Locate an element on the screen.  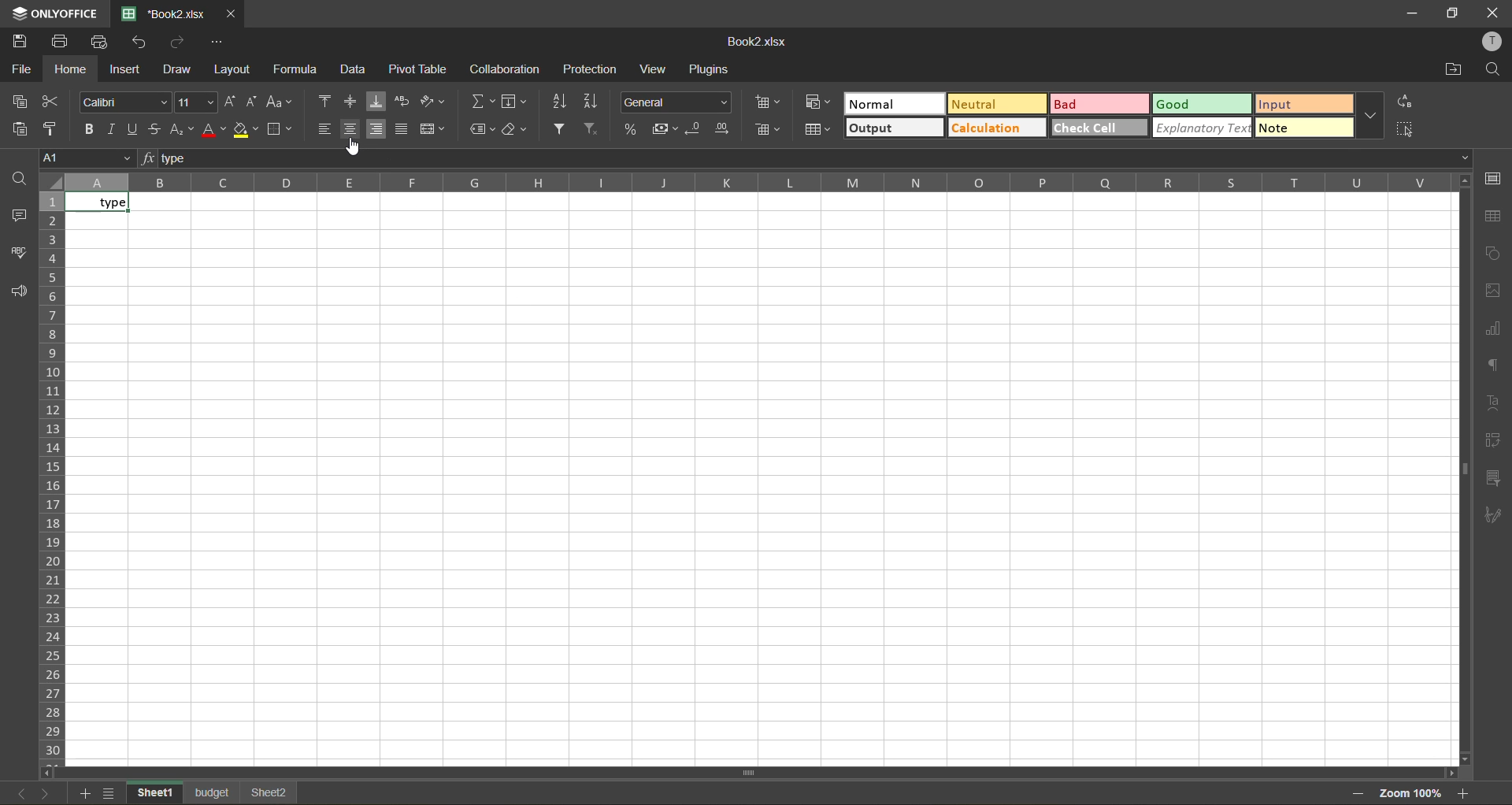
merge and center is located at coordinates (434, 129).